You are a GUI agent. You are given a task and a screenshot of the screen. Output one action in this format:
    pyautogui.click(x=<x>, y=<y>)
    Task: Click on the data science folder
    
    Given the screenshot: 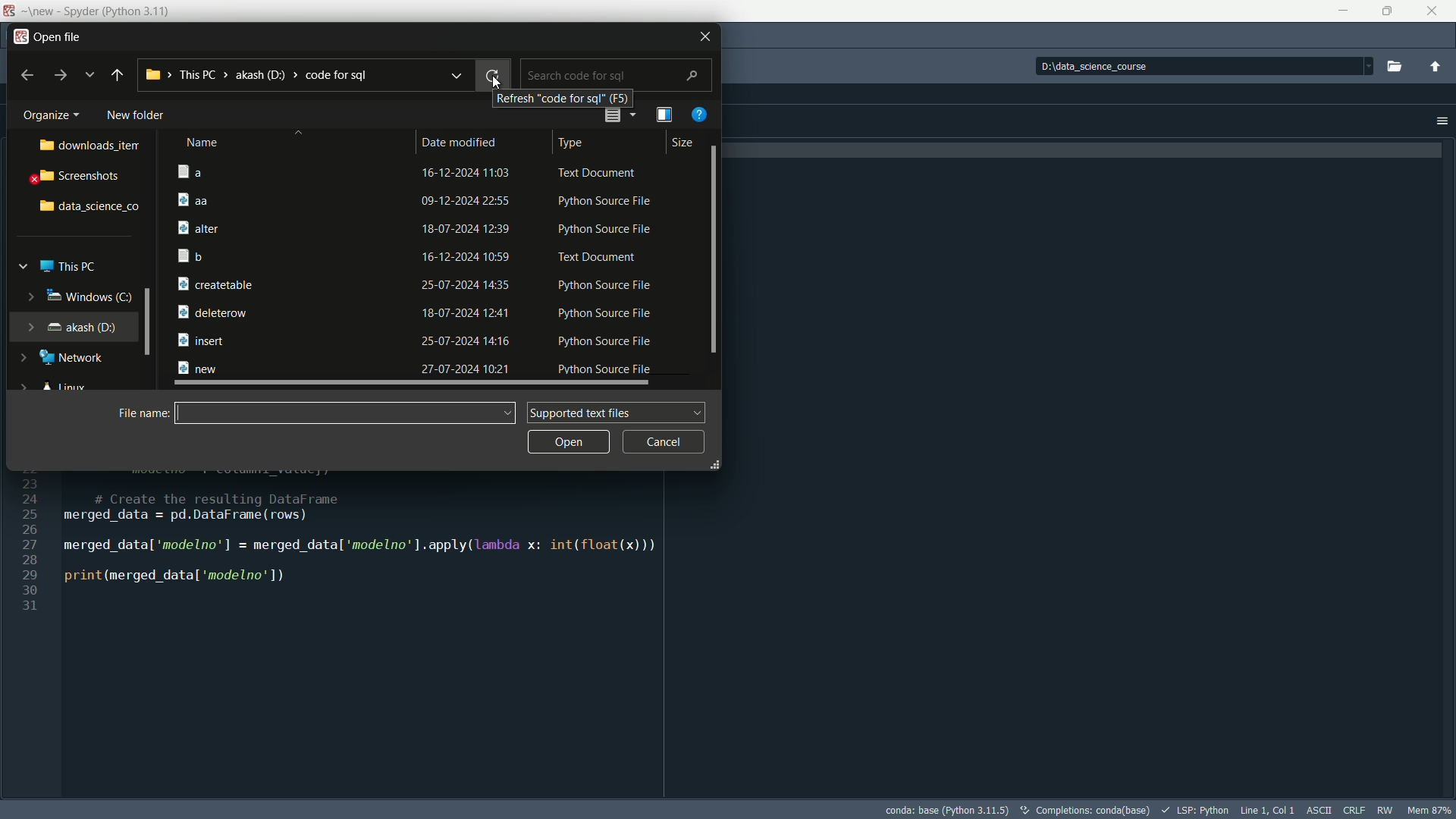 What is the action you would take?
    pyautogui.click(x=90, y=207)
    